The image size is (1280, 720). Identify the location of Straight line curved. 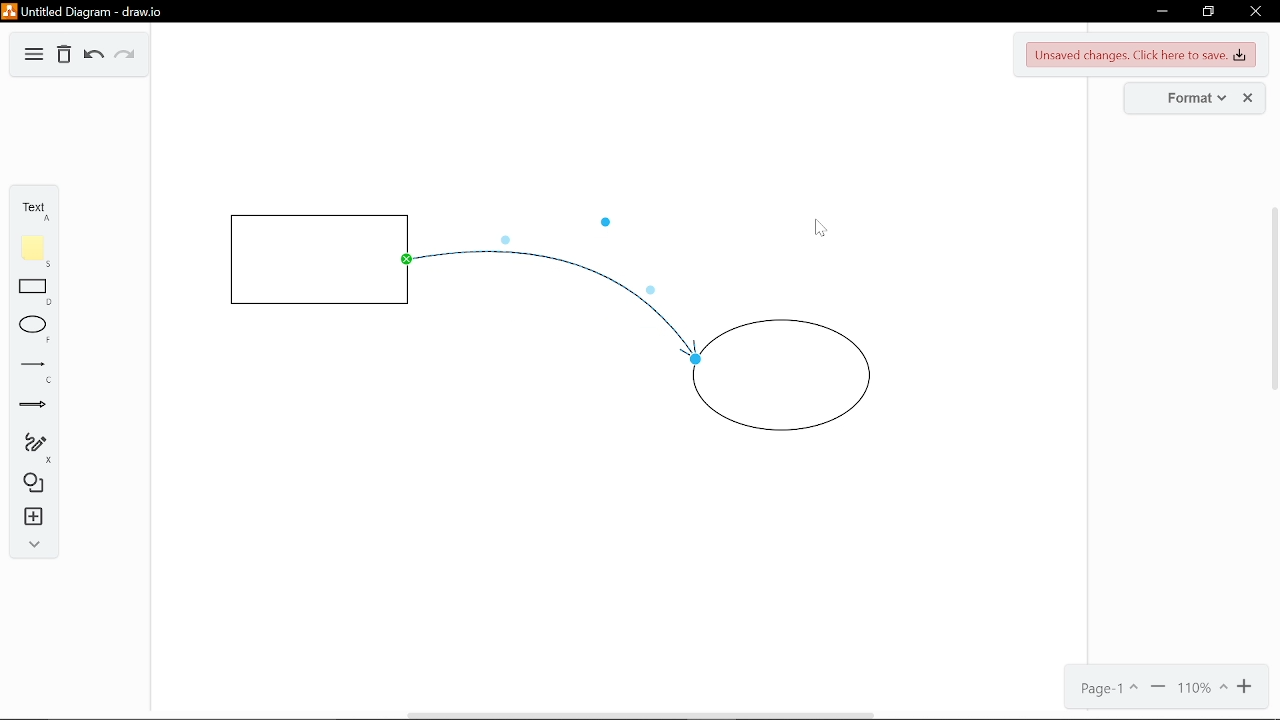
(543, 276).